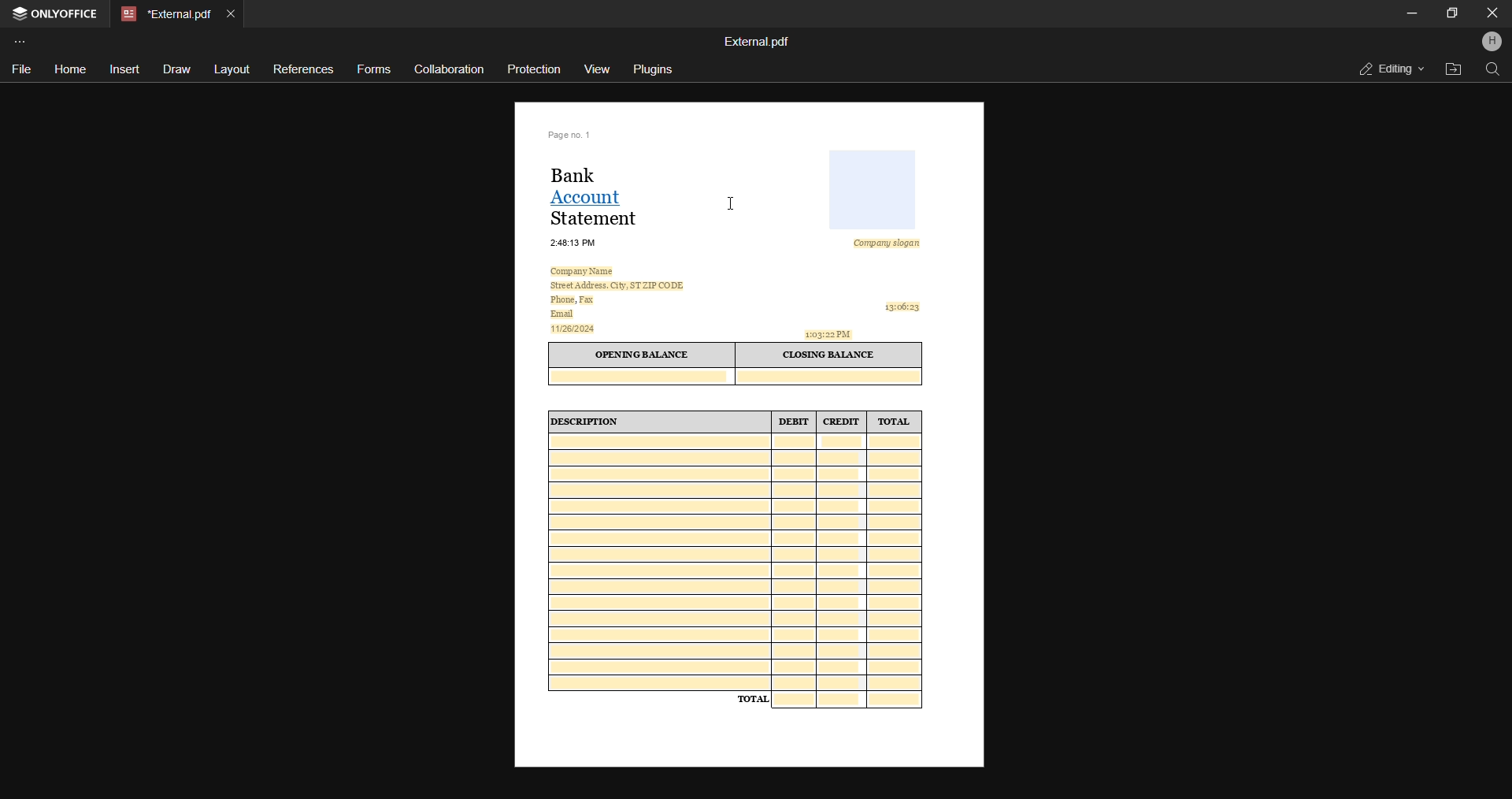  Describe the element at coordinates (174, 69) in the screenshot. I see `draw` at that location.